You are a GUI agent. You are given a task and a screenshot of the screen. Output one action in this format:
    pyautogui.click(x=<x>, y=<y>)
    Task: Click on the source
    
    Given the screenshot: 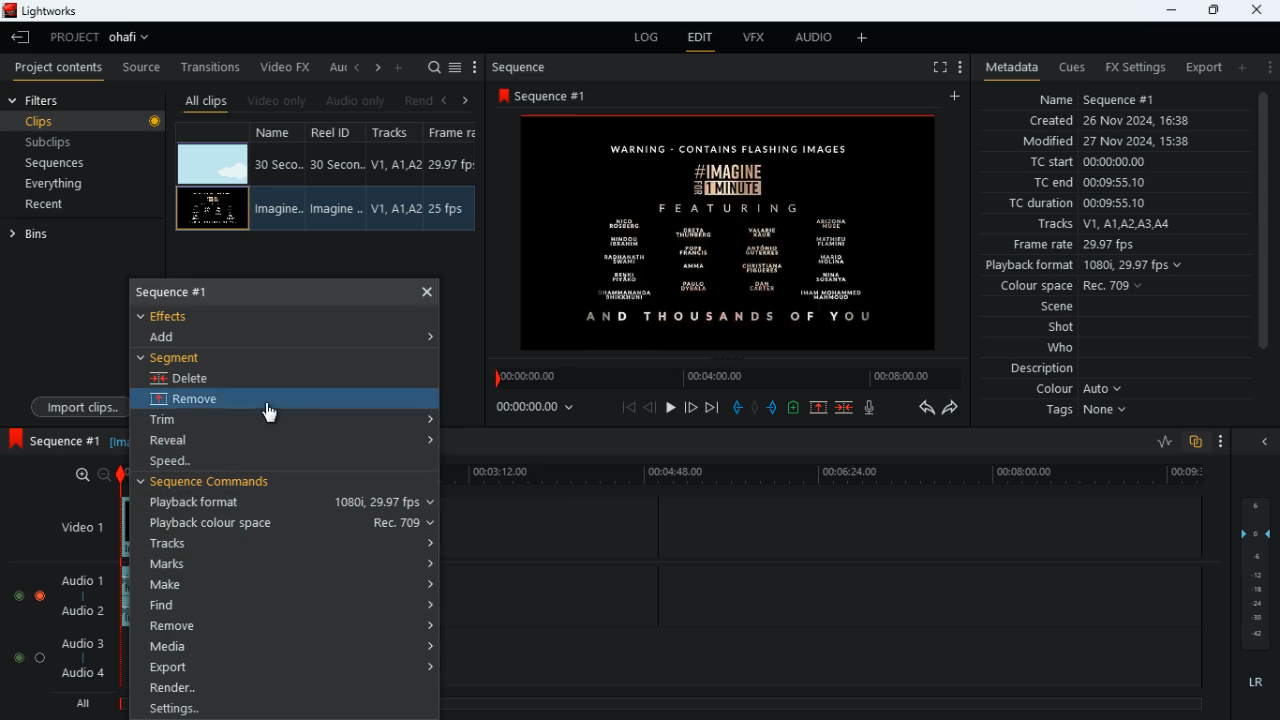 What is the action you would take?
    pyautogui.click(x=141, y=66)
    